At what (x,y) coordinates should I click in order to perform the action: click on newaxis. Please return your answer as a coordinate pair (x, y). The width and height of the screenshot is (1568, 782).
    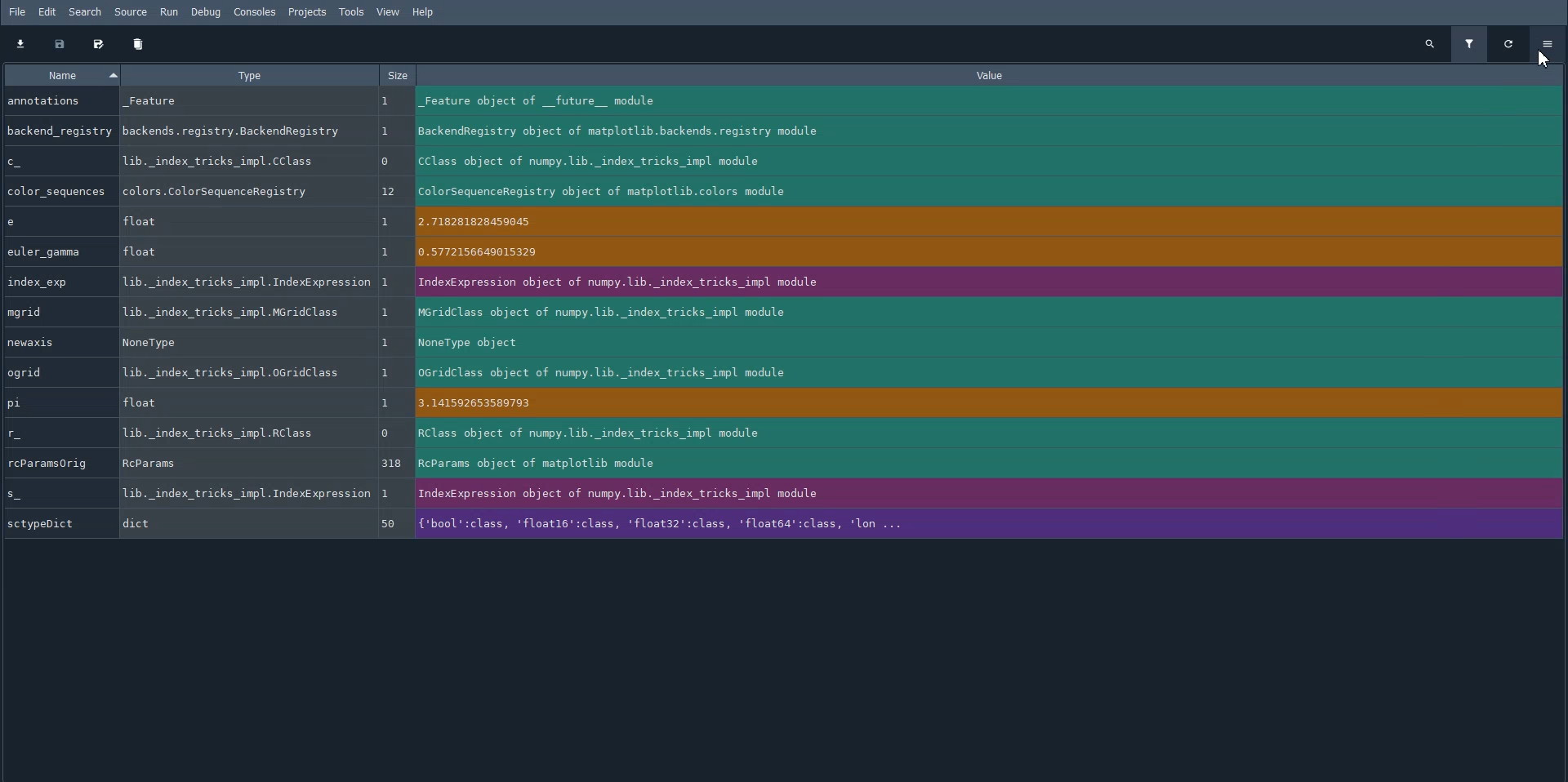
    Looking at the image, I should click on (54, 342).